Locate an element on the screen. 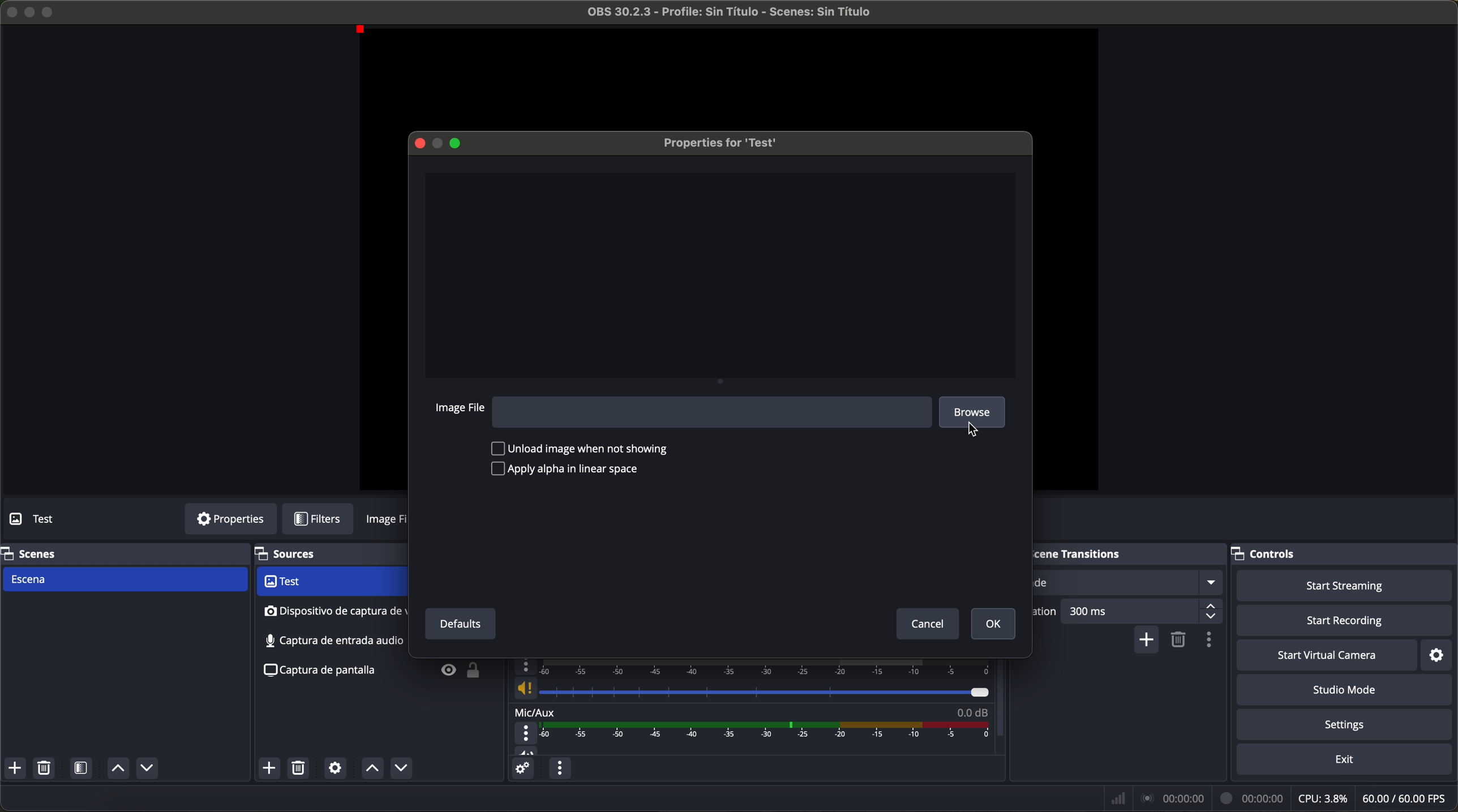 This screenshot has width=1458, height=812. maximize program is located at coordinates (50, 11).